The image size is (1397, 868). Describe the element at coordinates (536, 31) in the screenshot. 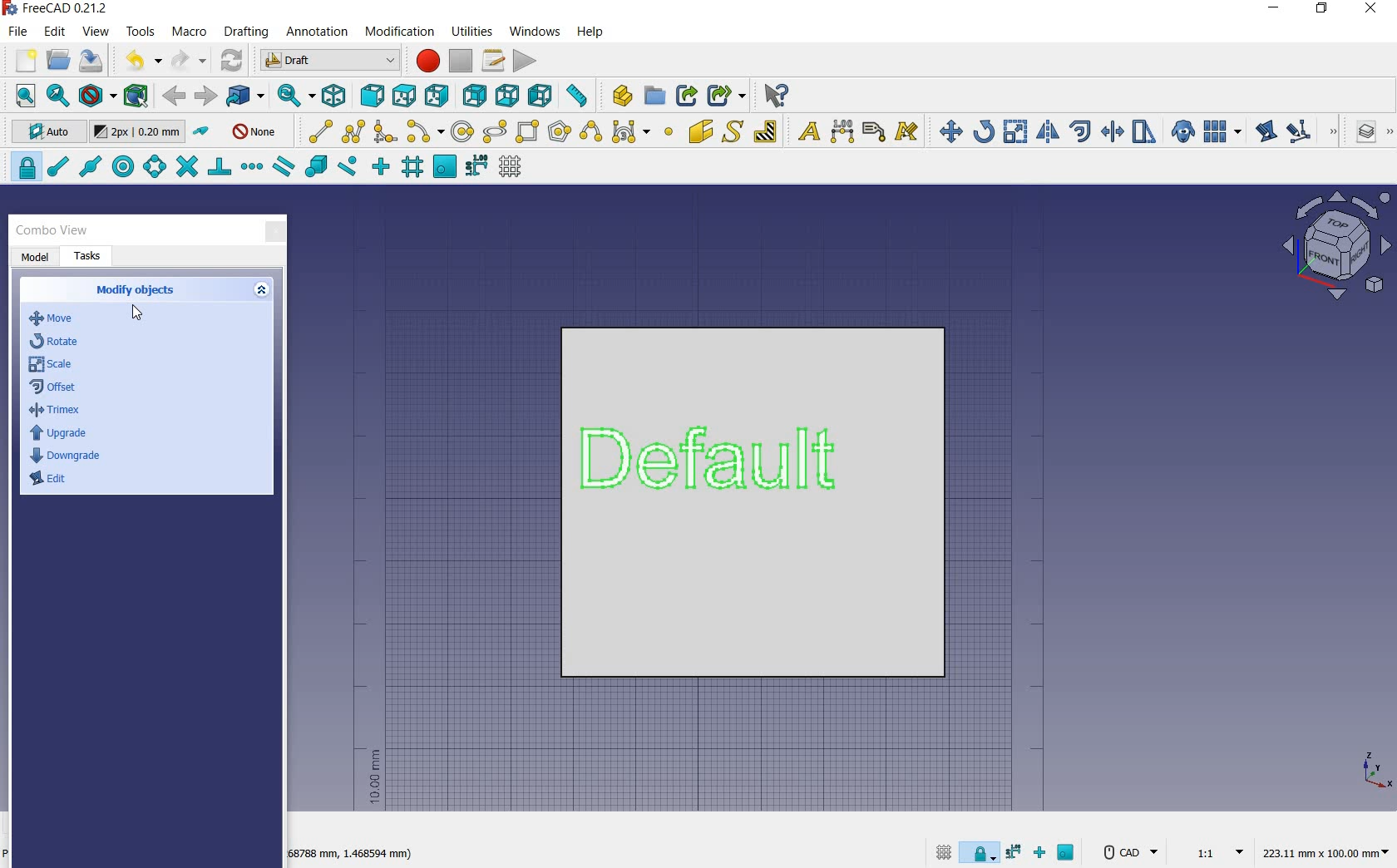

I see `windows` at that location.